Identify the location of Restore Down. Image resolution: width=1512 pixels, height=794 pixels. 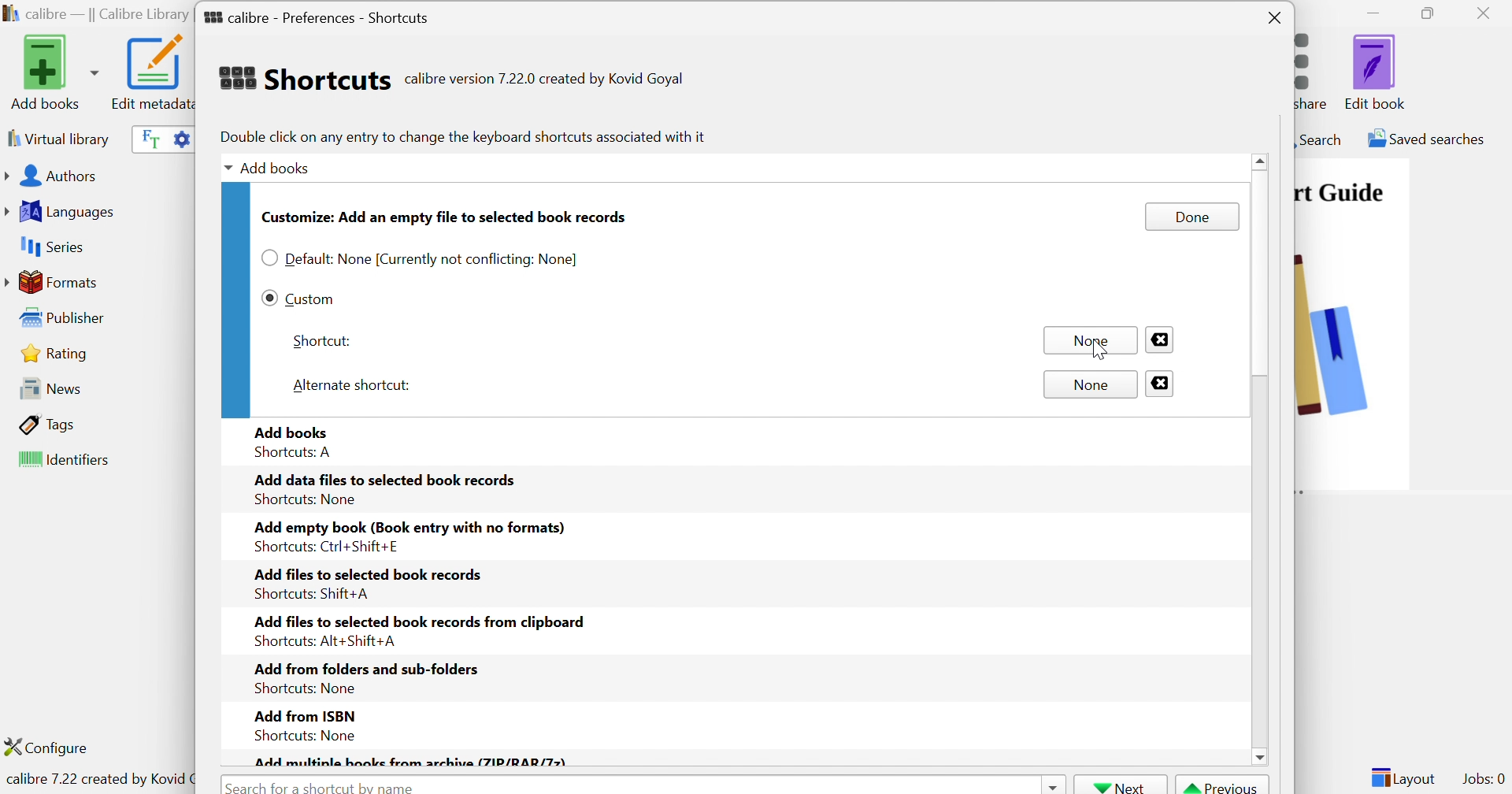
(1432, 14).